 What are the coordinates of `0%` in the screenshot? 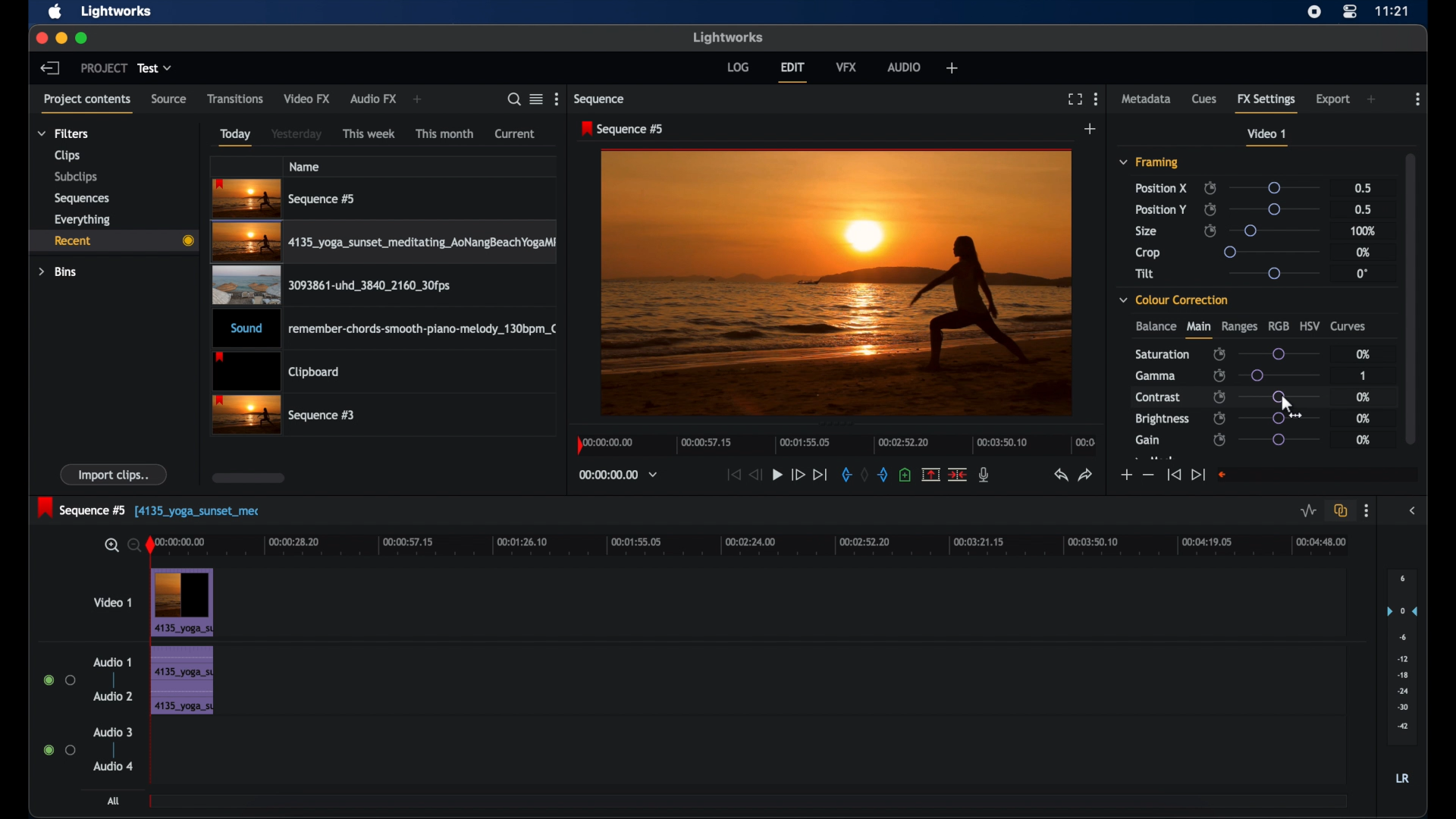 It's located at (1364, 419).